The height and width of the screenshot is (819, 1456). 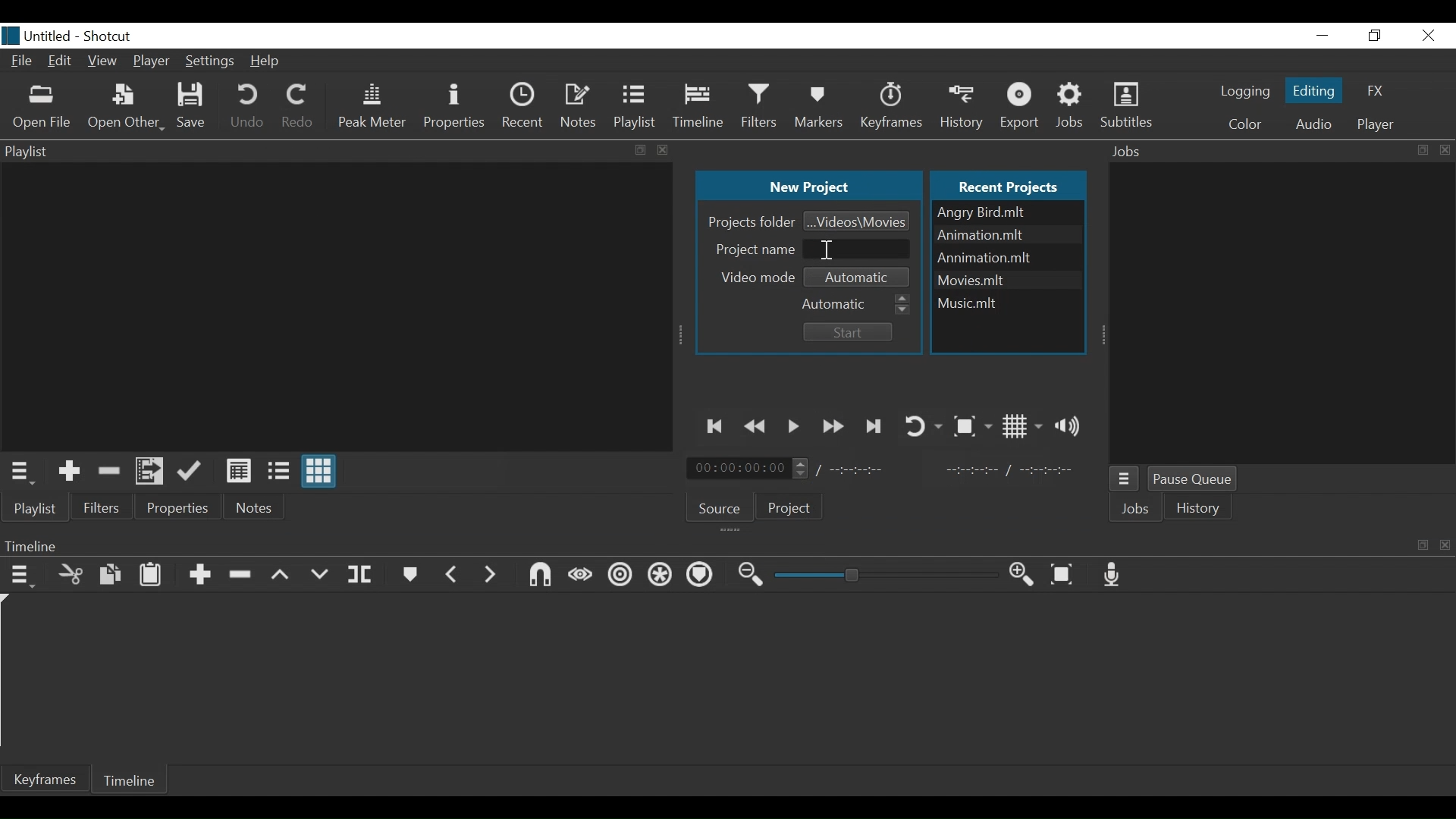 What do you see at coordinates (1006, 236) in the screenshot?
I see `File name` at bounding box center [1006, 236].